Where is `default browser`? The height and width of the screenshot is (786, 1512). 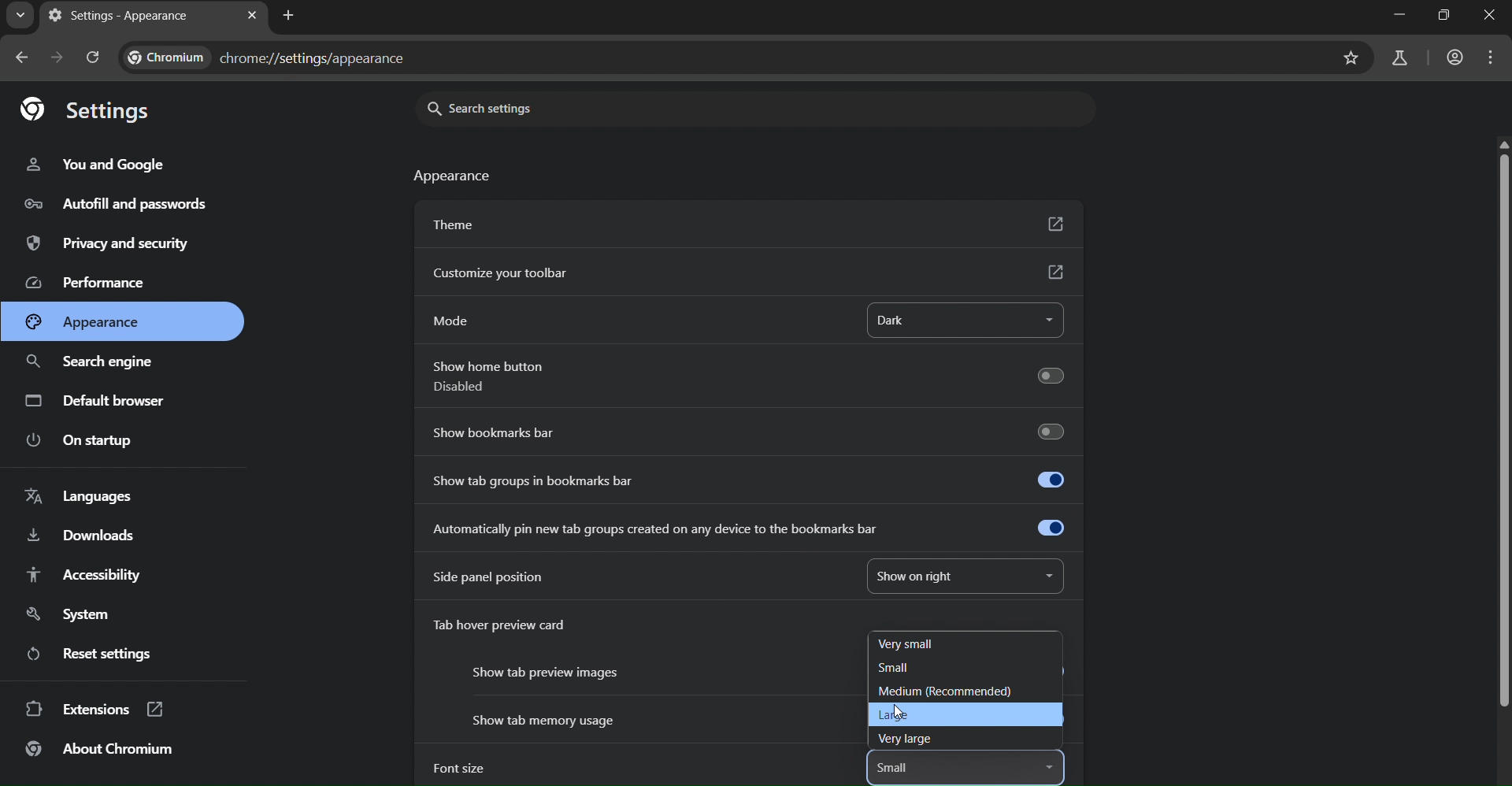
default browser is located at coordinates (98, 399).